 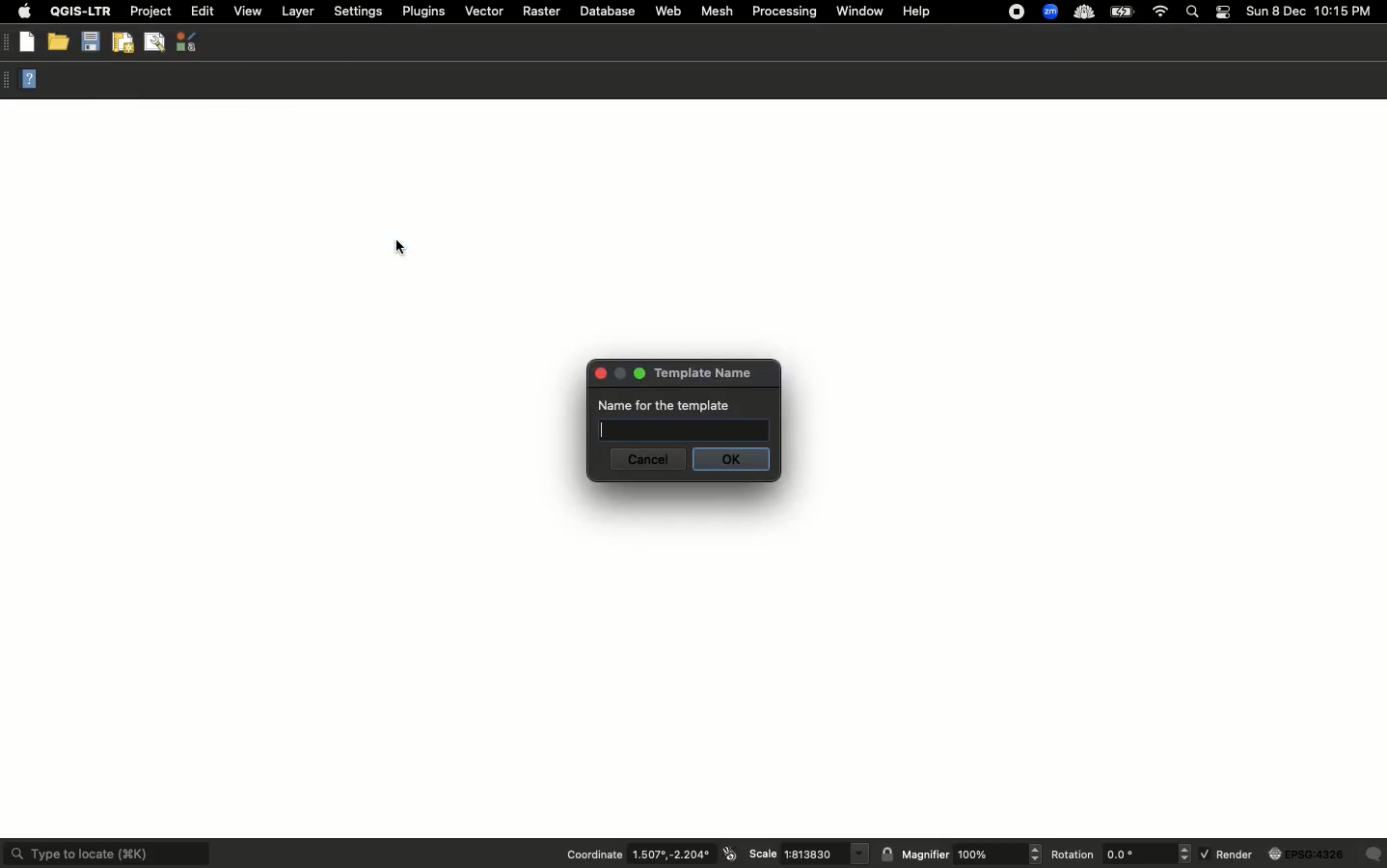 I want to click on New print layout, so click(x=121, y=46).